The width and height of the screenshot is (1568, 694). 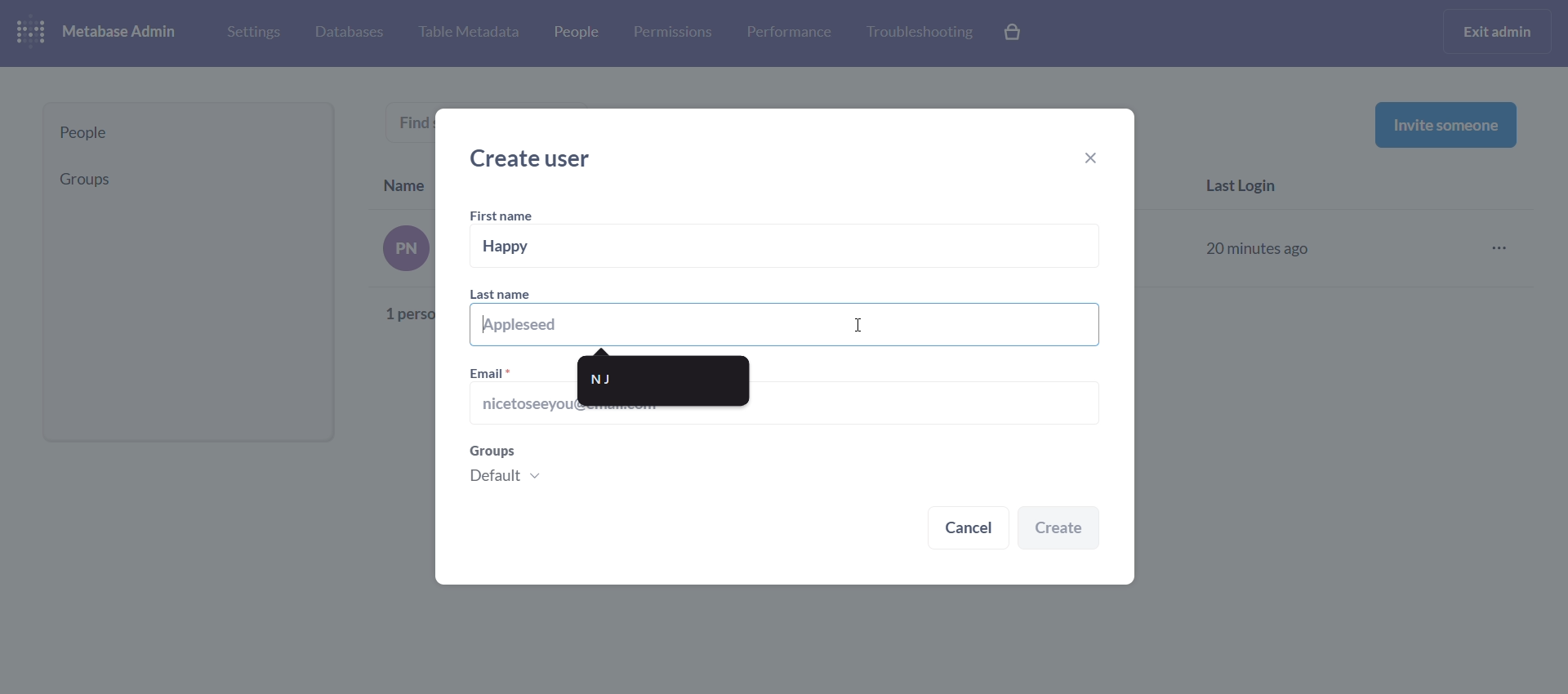 I want to click on groups, so click(x=182, y=179).